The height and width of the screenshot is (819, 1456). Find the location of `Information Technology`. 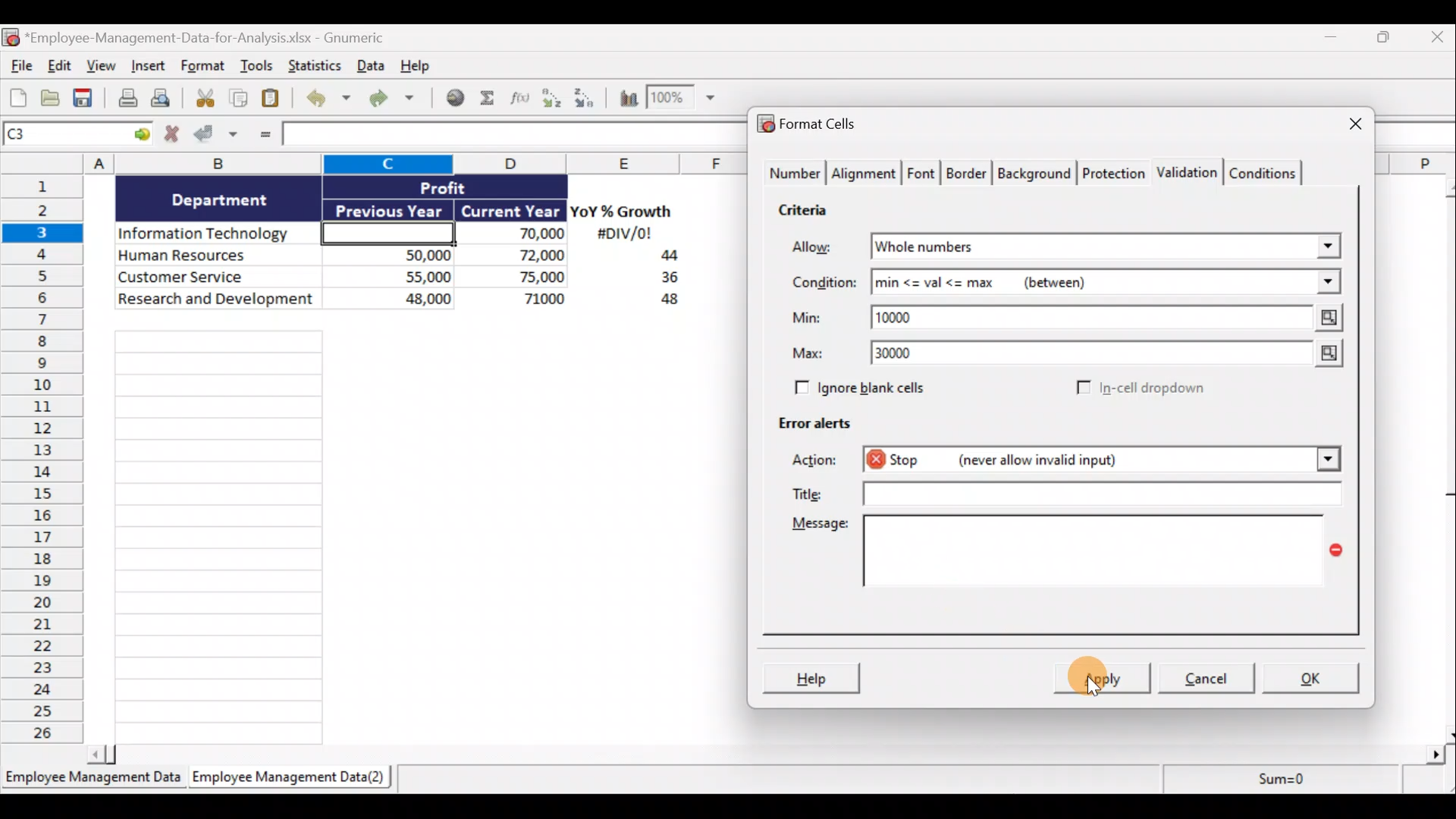

Information Technology is located at coordinates (218, 234).